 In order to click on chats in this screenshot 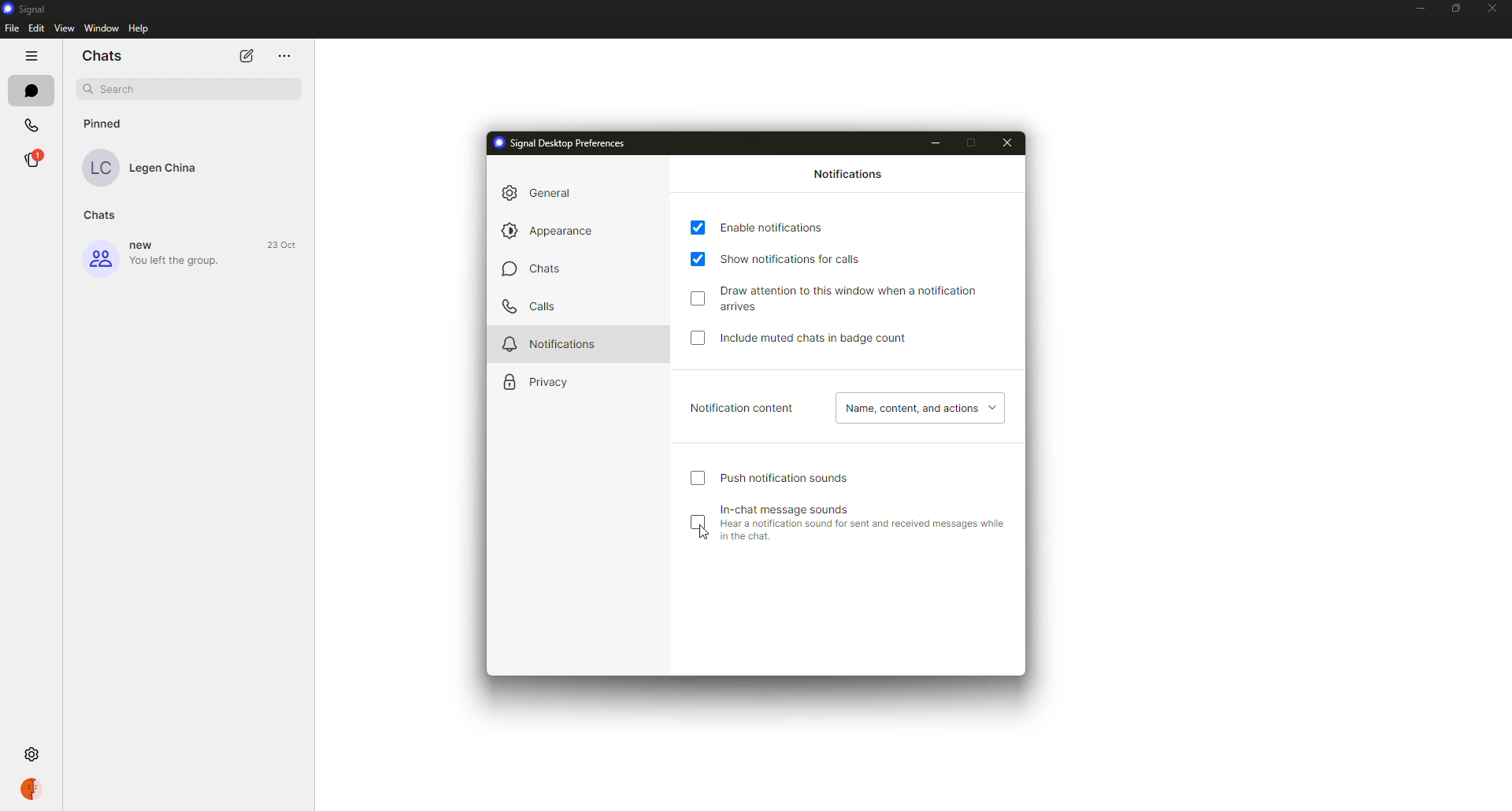, I will do `click(548, 268)`.